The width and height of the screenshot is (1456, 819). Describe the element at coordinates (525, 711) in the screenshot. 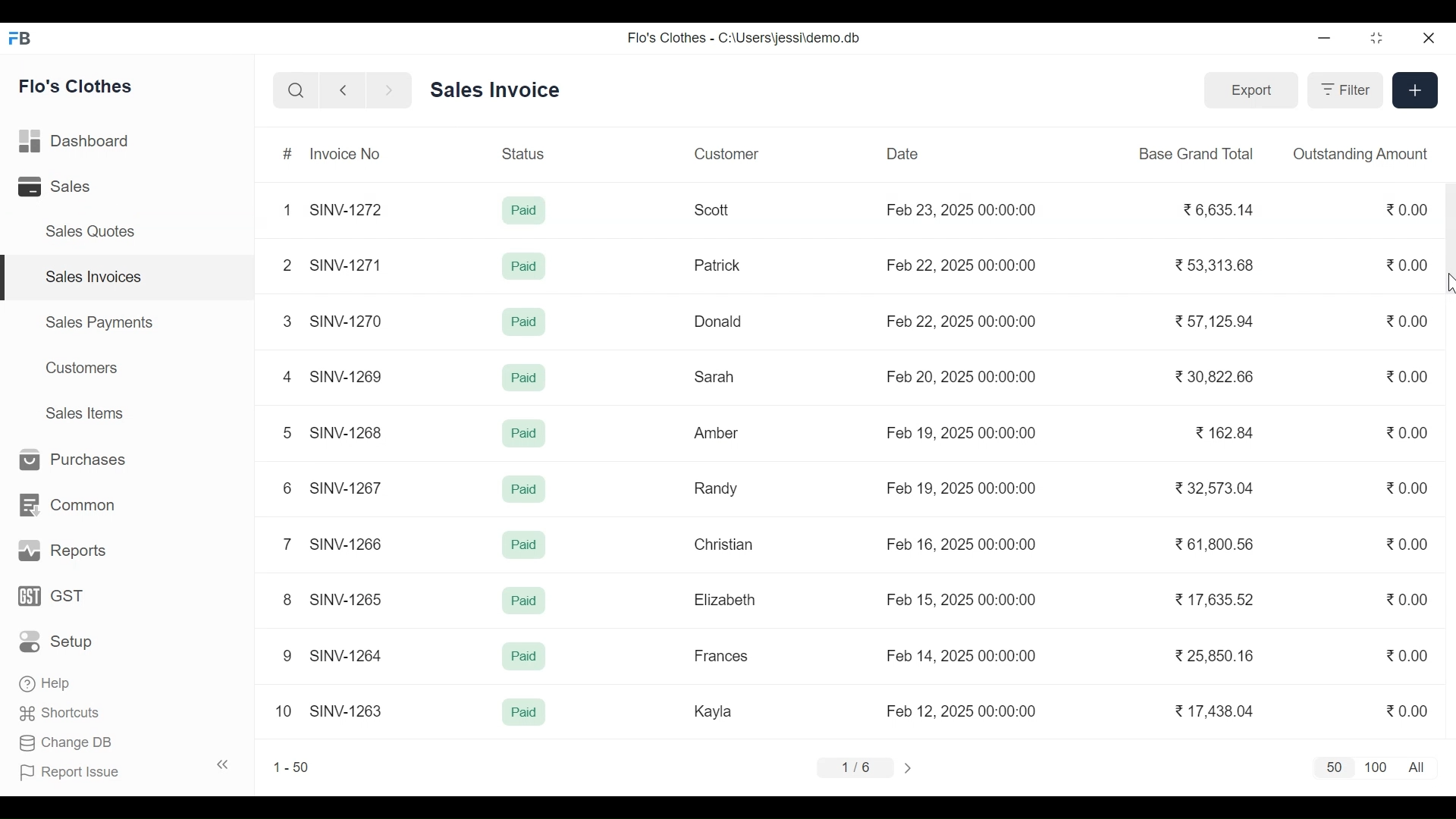

I see `Paid` at that location.